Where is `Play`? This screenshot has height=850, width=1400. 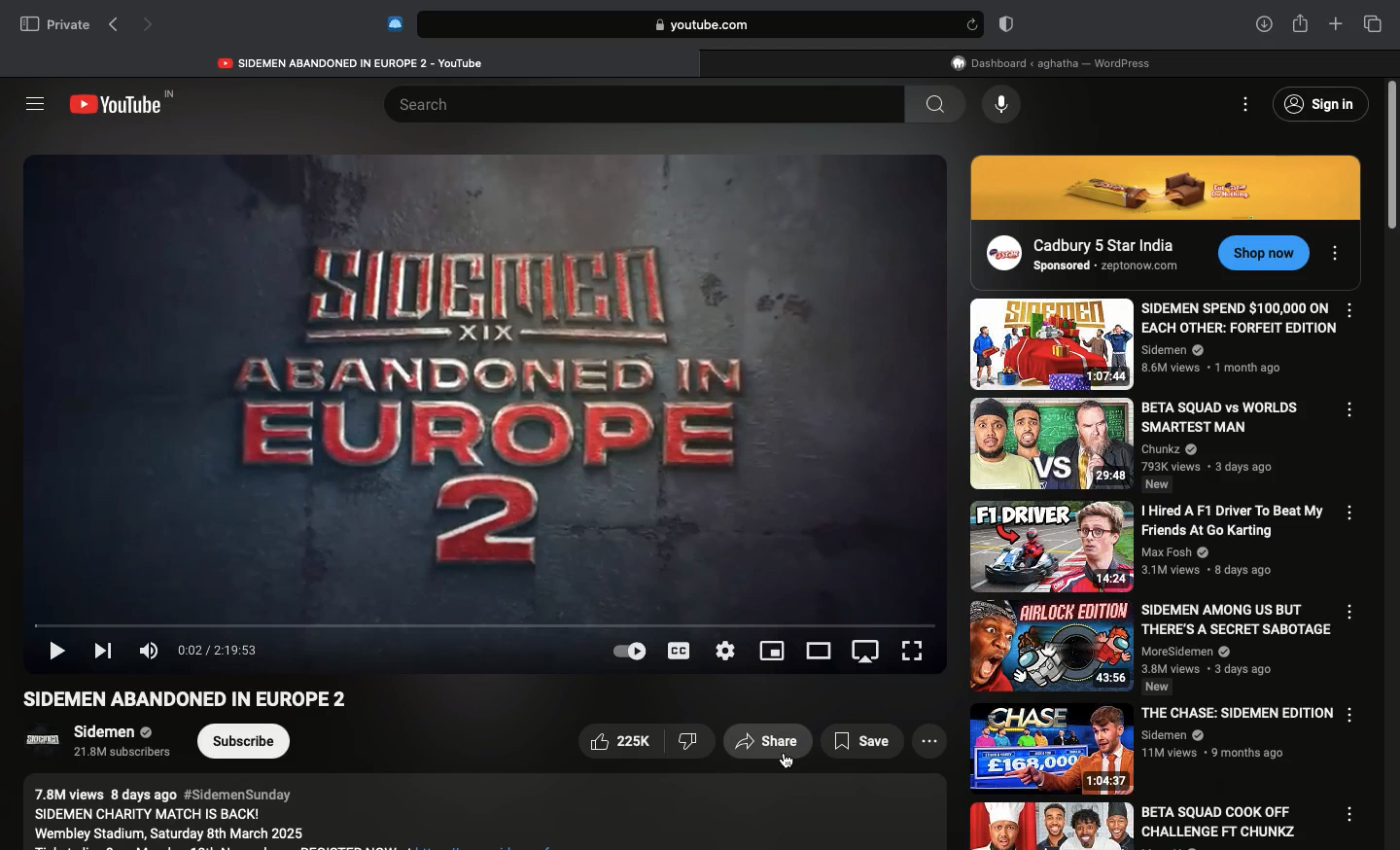 Play is located at coordinates (59, 655).